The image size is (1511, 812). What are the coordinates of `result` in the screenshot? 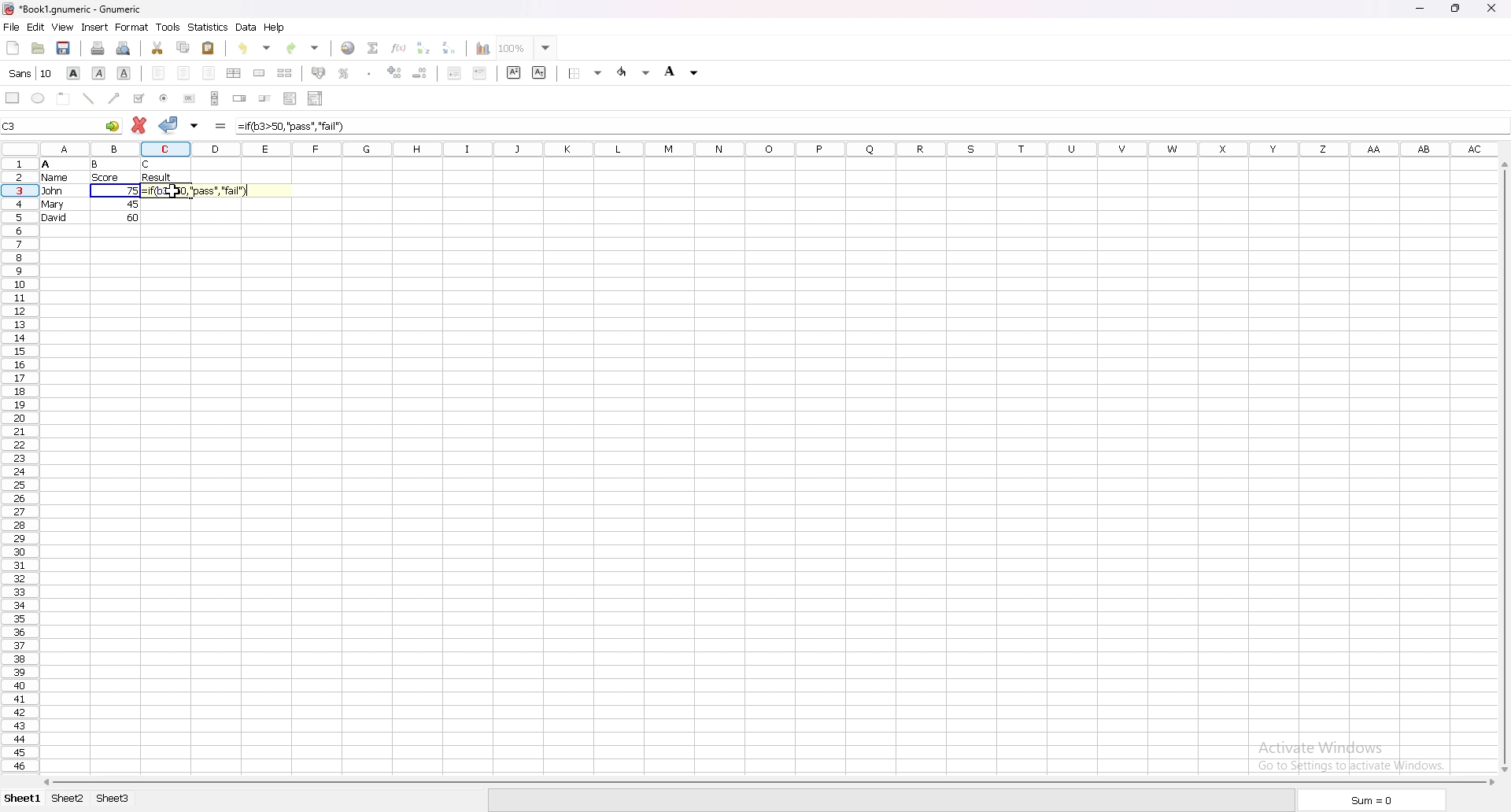 It's located at (157, 177).